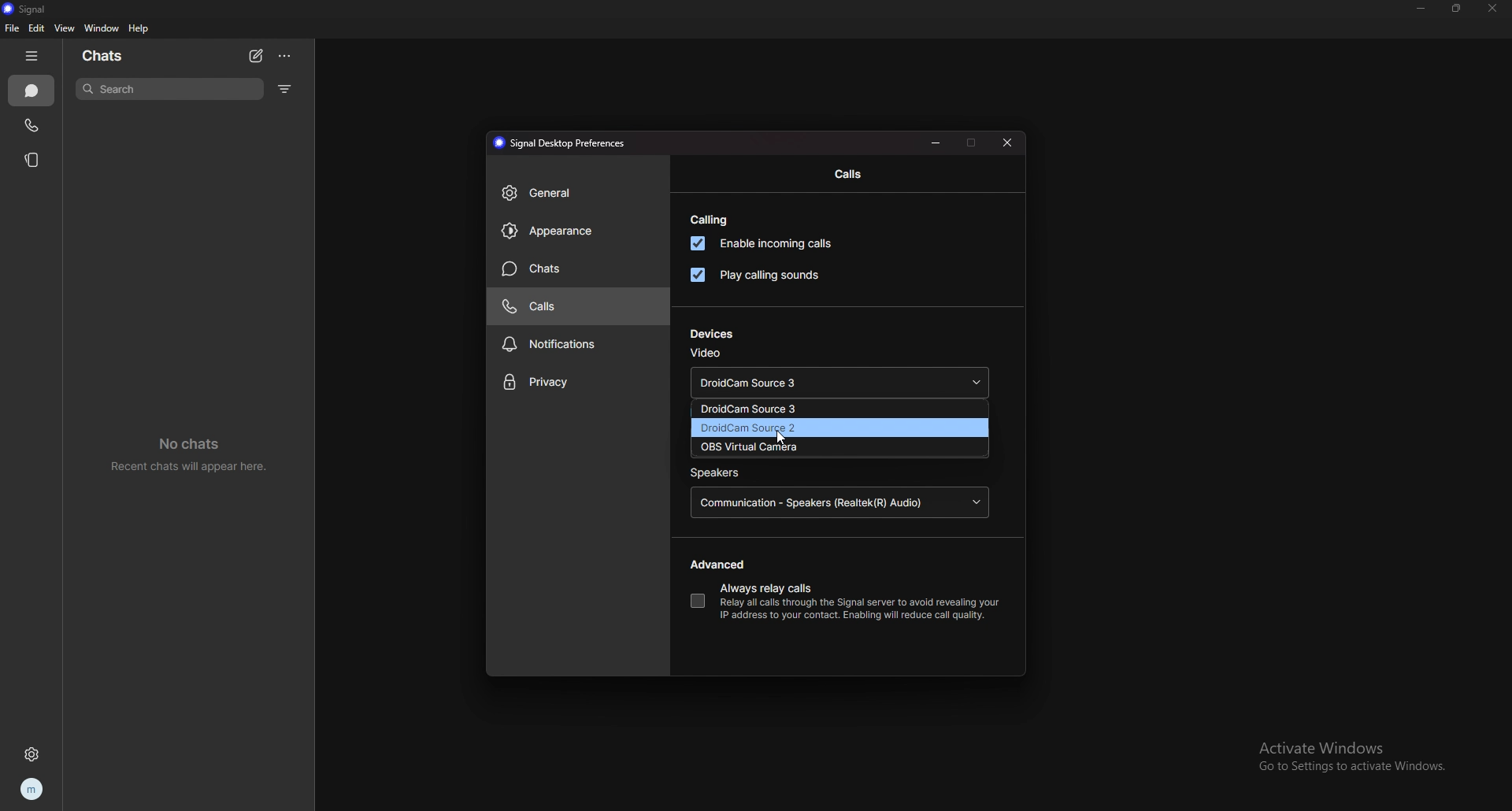 Image resolution: width=1512 pixels, height=811 pixels. I want to click on source, so click(839, 446).